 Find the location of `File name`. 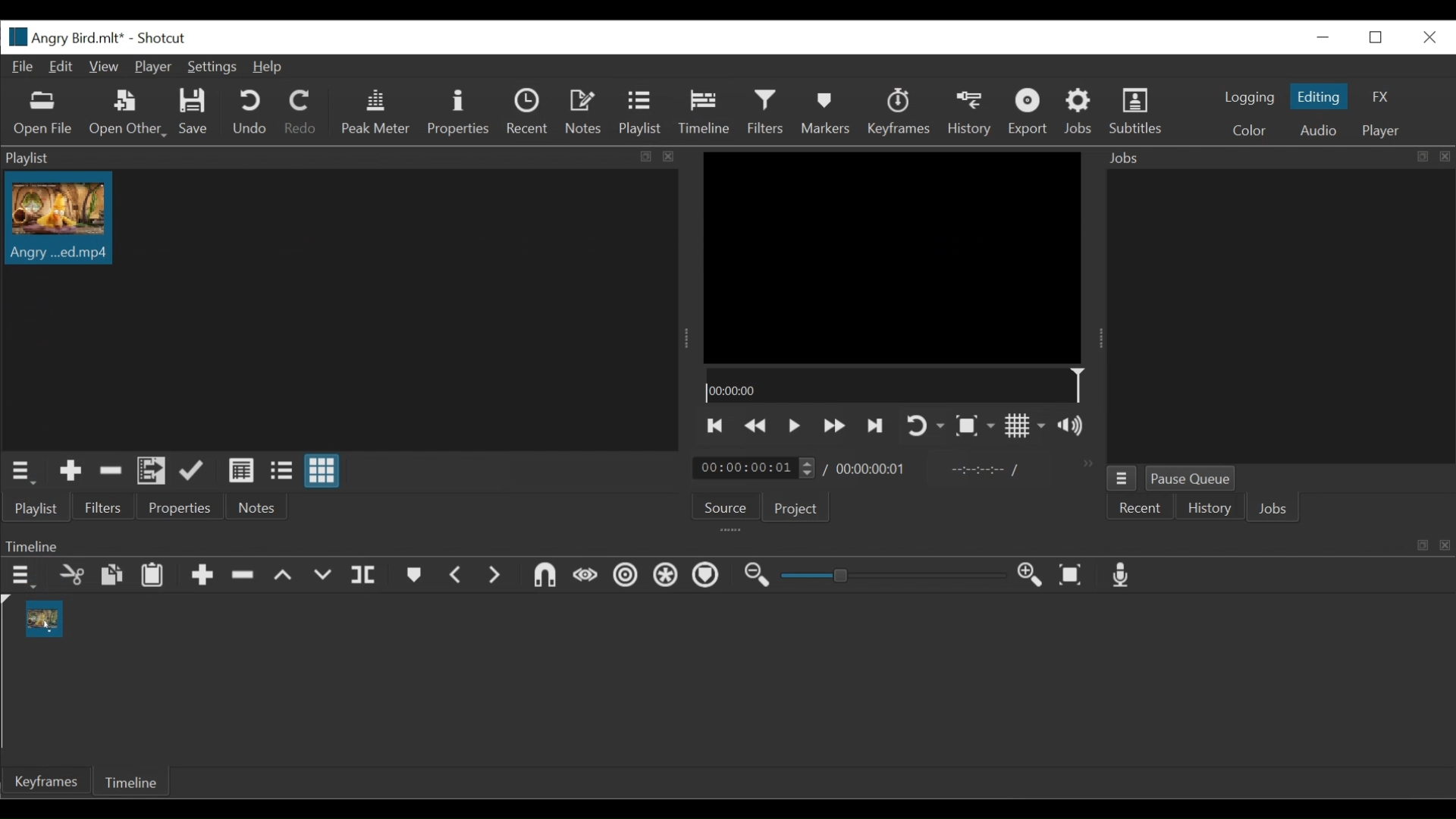

File name is located at coordinates (64, 37).